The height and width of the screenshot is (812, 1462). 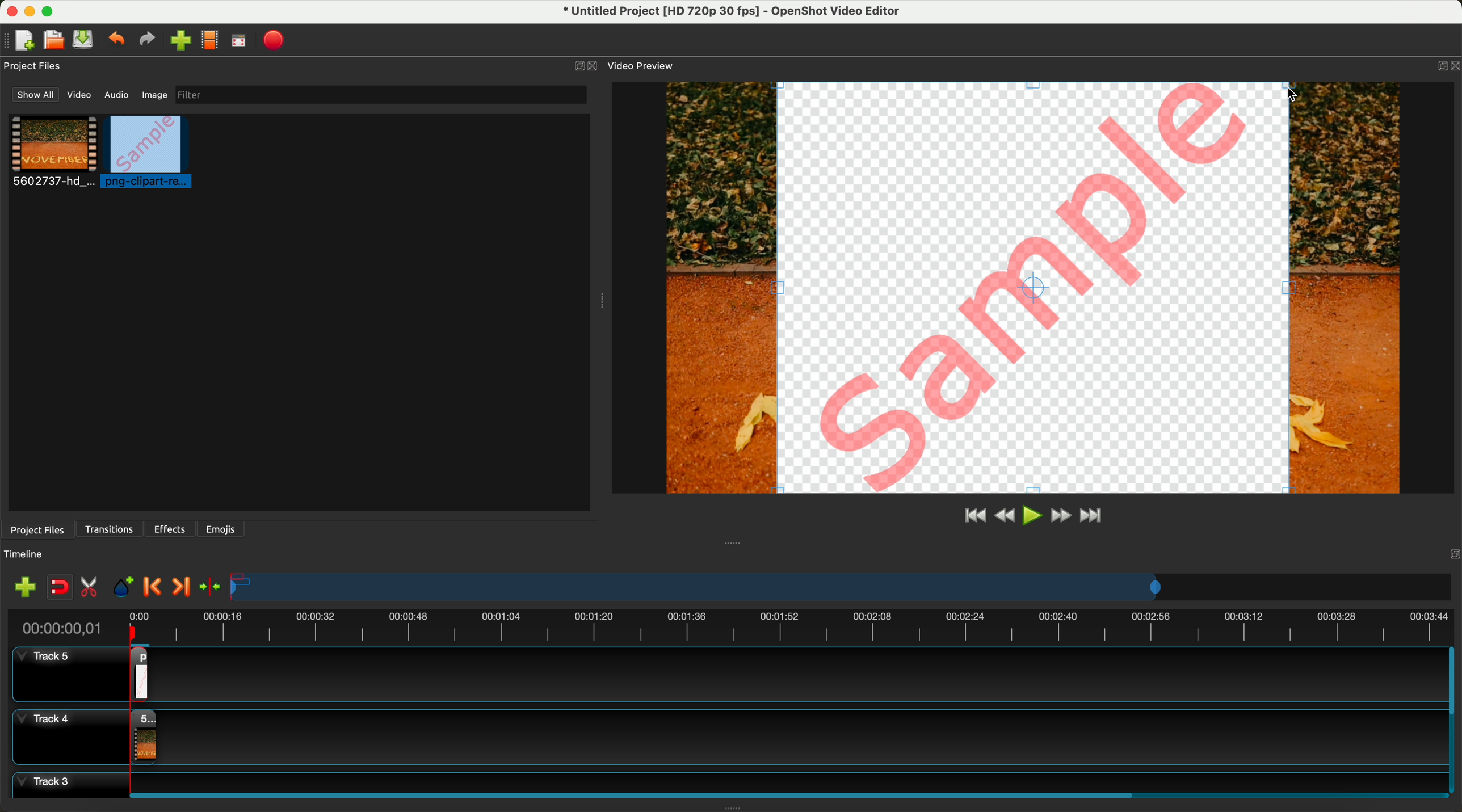 What do you see at coordinates (9, 10) in the screenshot?
I see `close program` at bounding box center [9, 10].